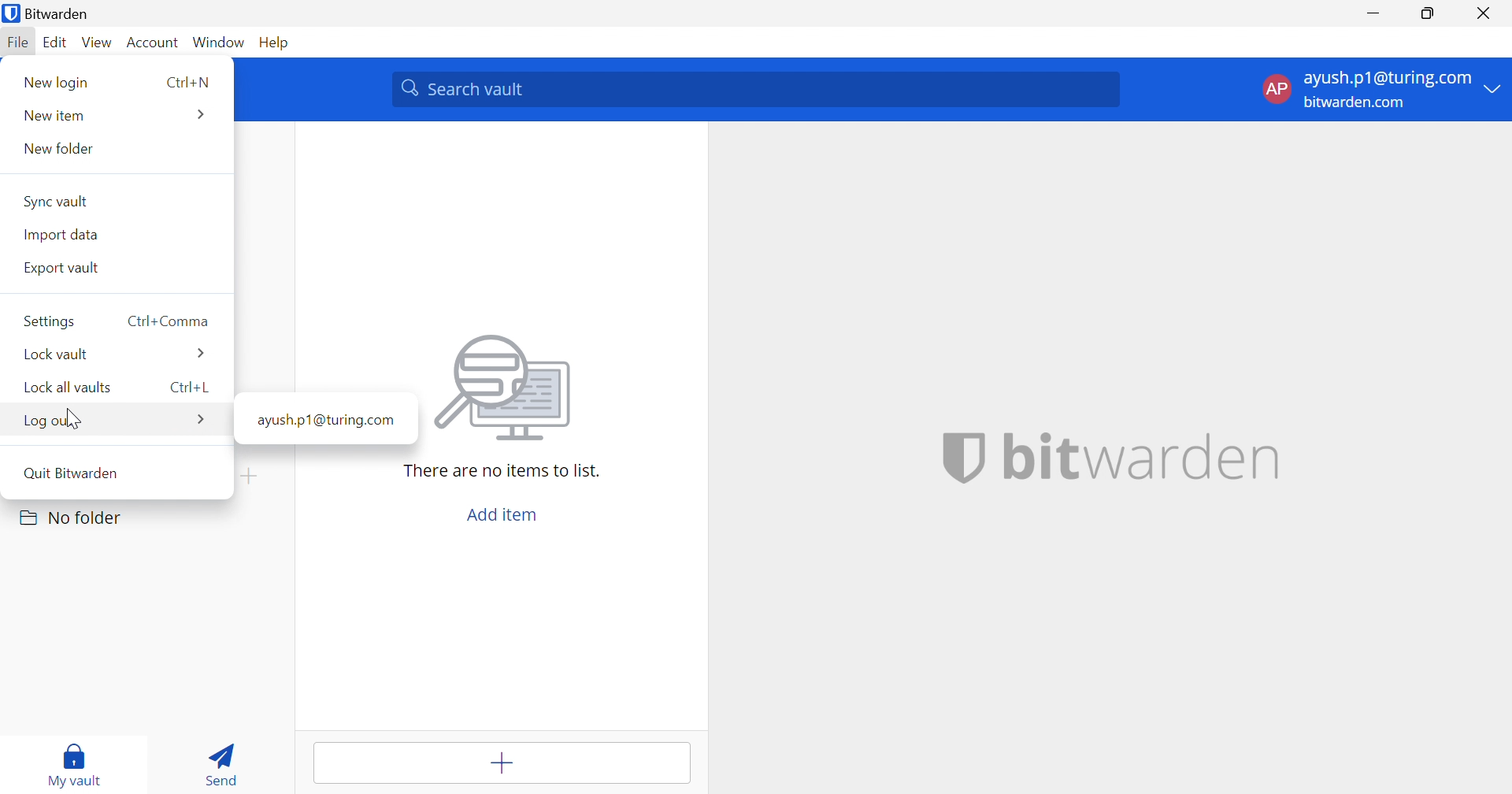 The image size is (1512, 794). I want to click on create folder, so click(254, 477).